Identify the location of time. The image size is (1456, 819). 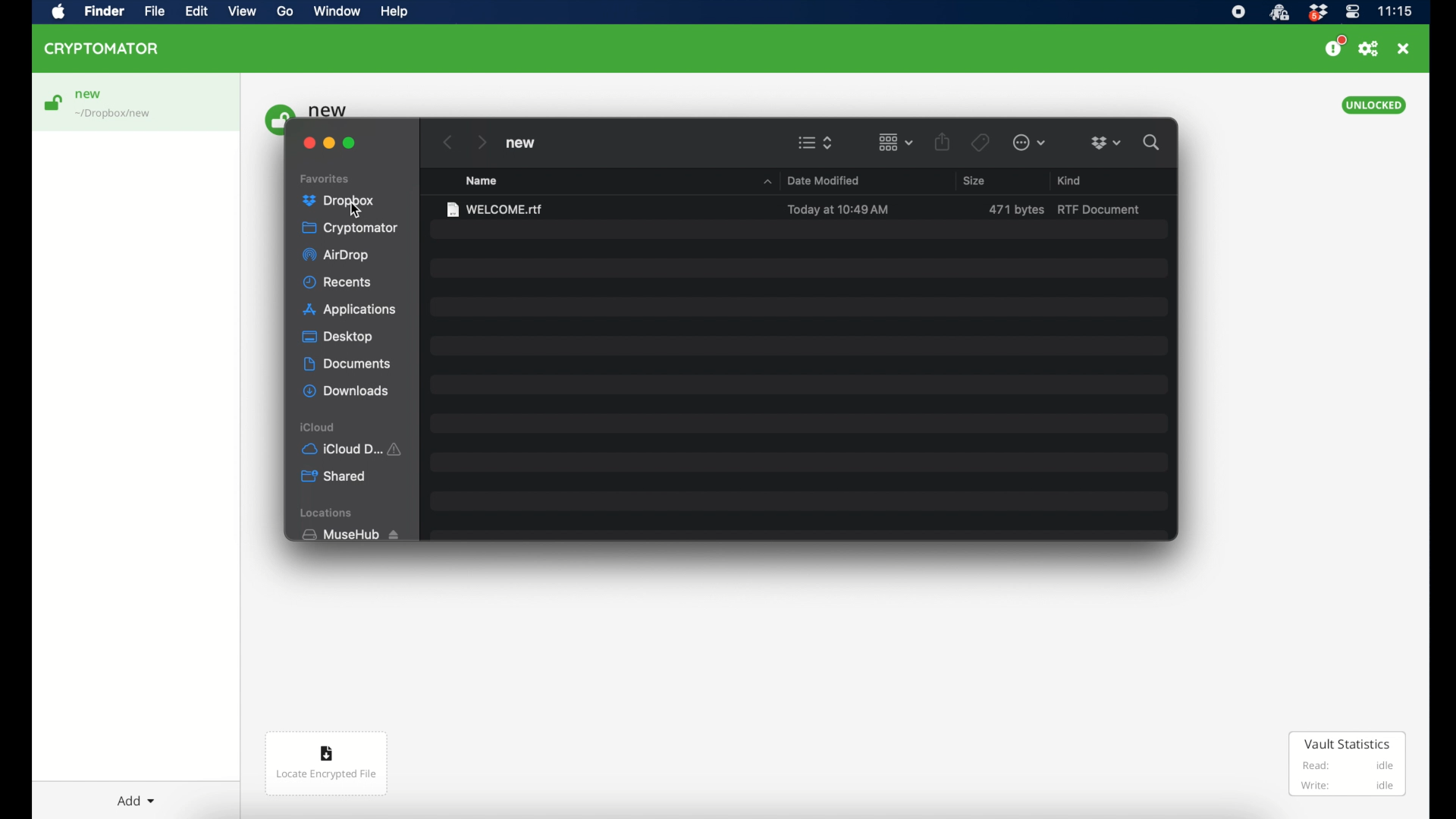
(1395, 11).